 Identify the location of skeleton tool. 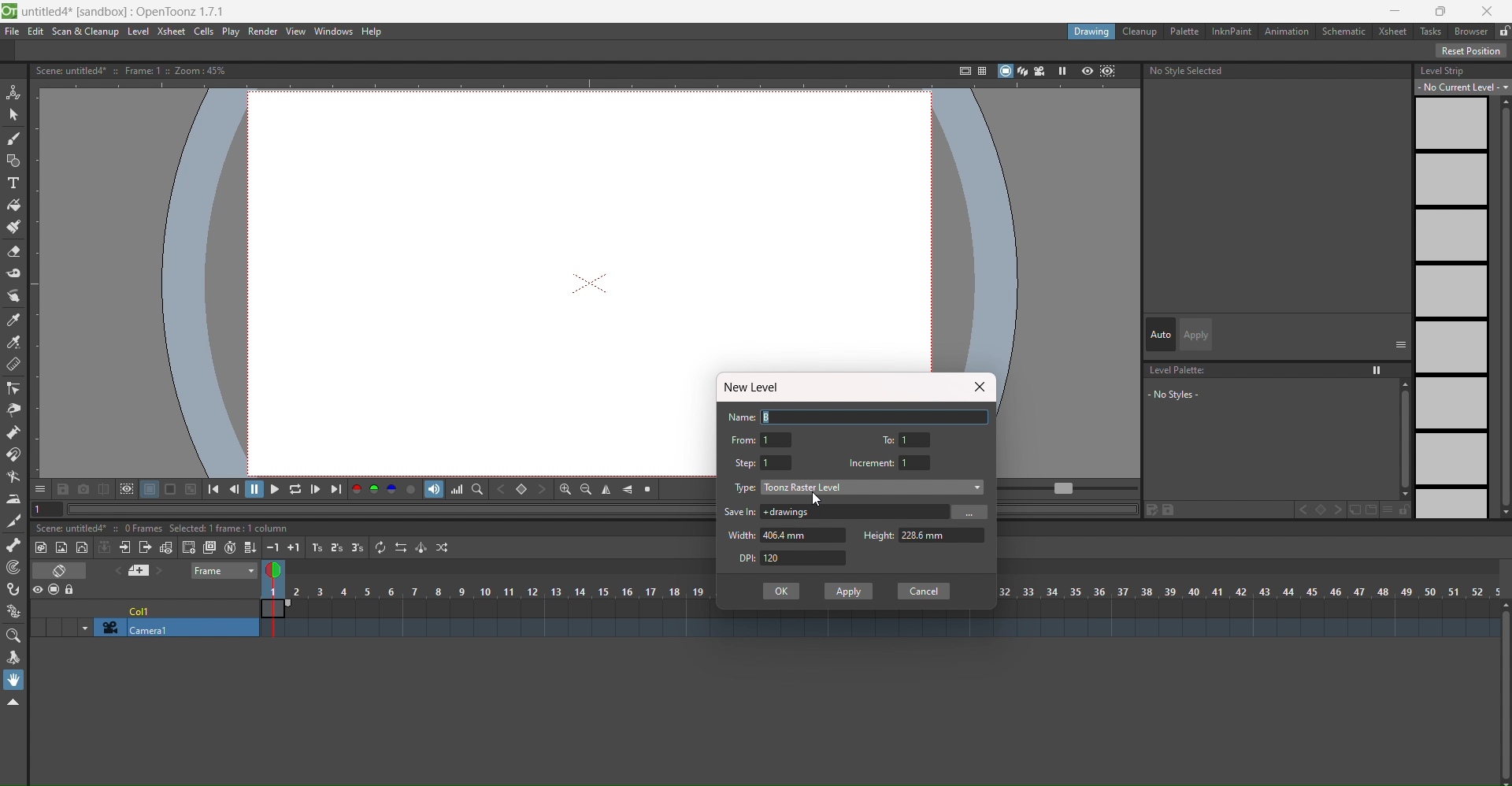
(14, 545).